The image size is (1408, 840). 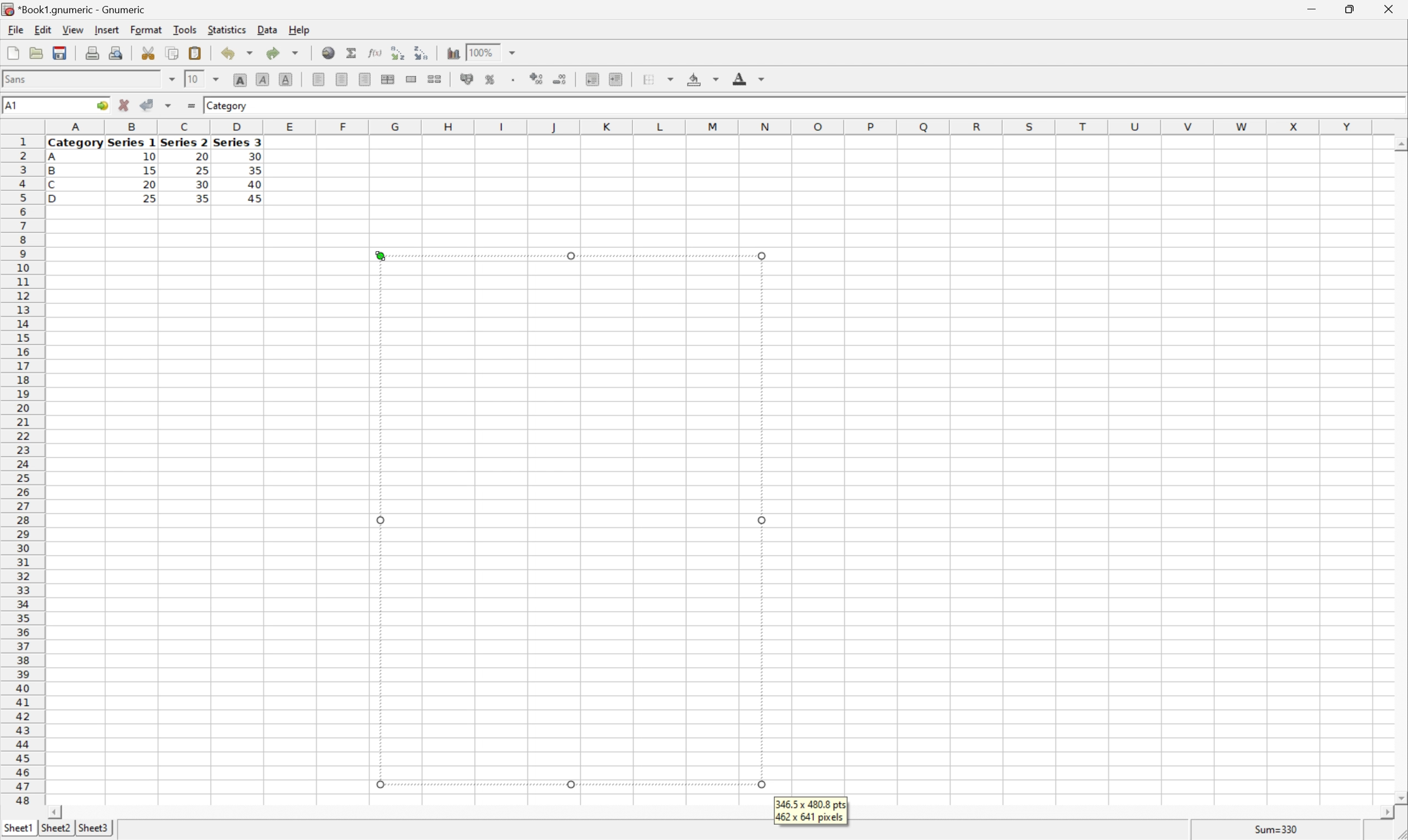 What do you see at coordinates (185, 29) in the screenshot?
I see `Tools` at bounding box center [185, 29].